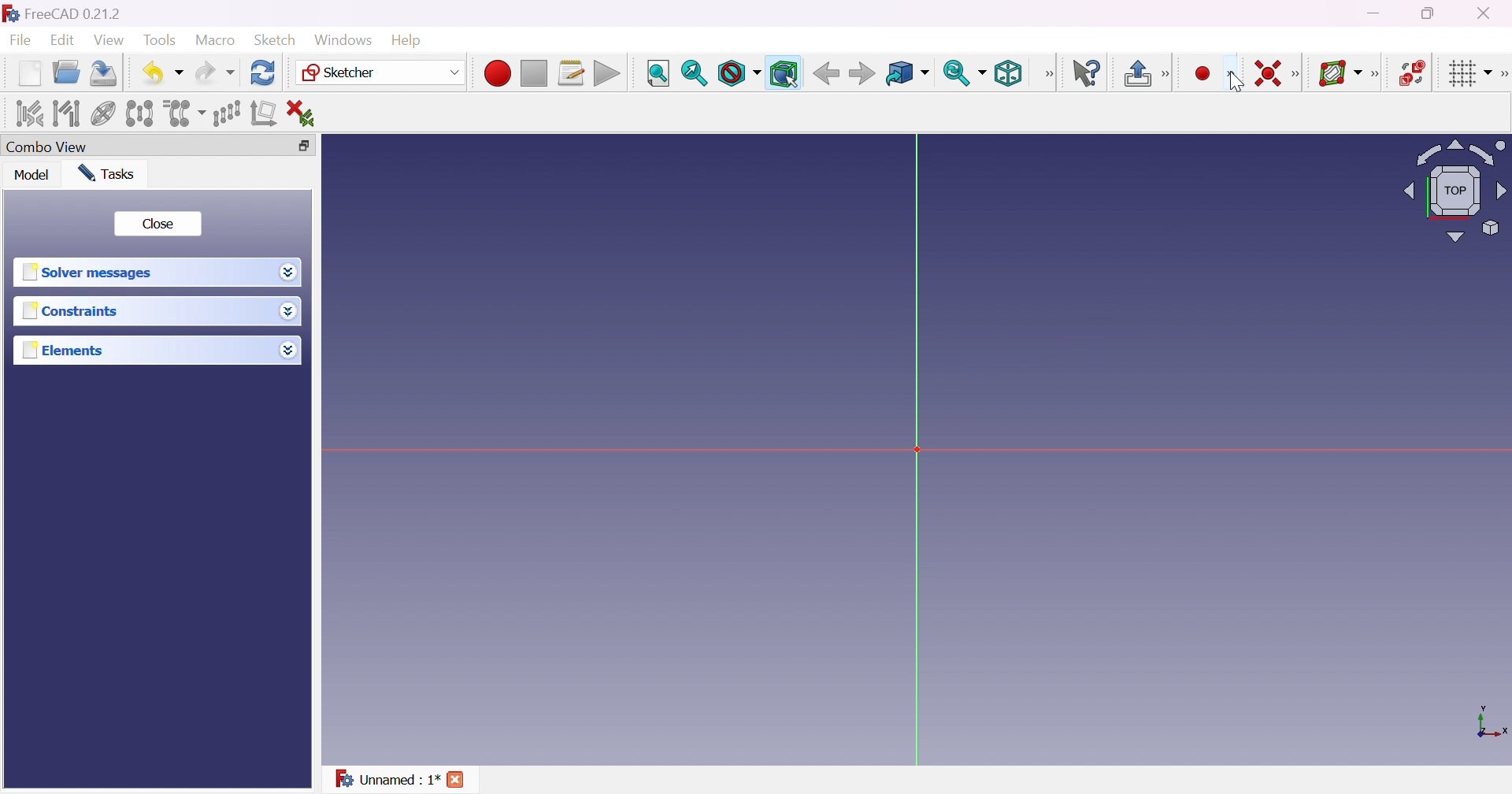 The image size is (1512, 794). Describe the element at coordinates (1047, 75) in the screenshot. I see `[View]` at that location.